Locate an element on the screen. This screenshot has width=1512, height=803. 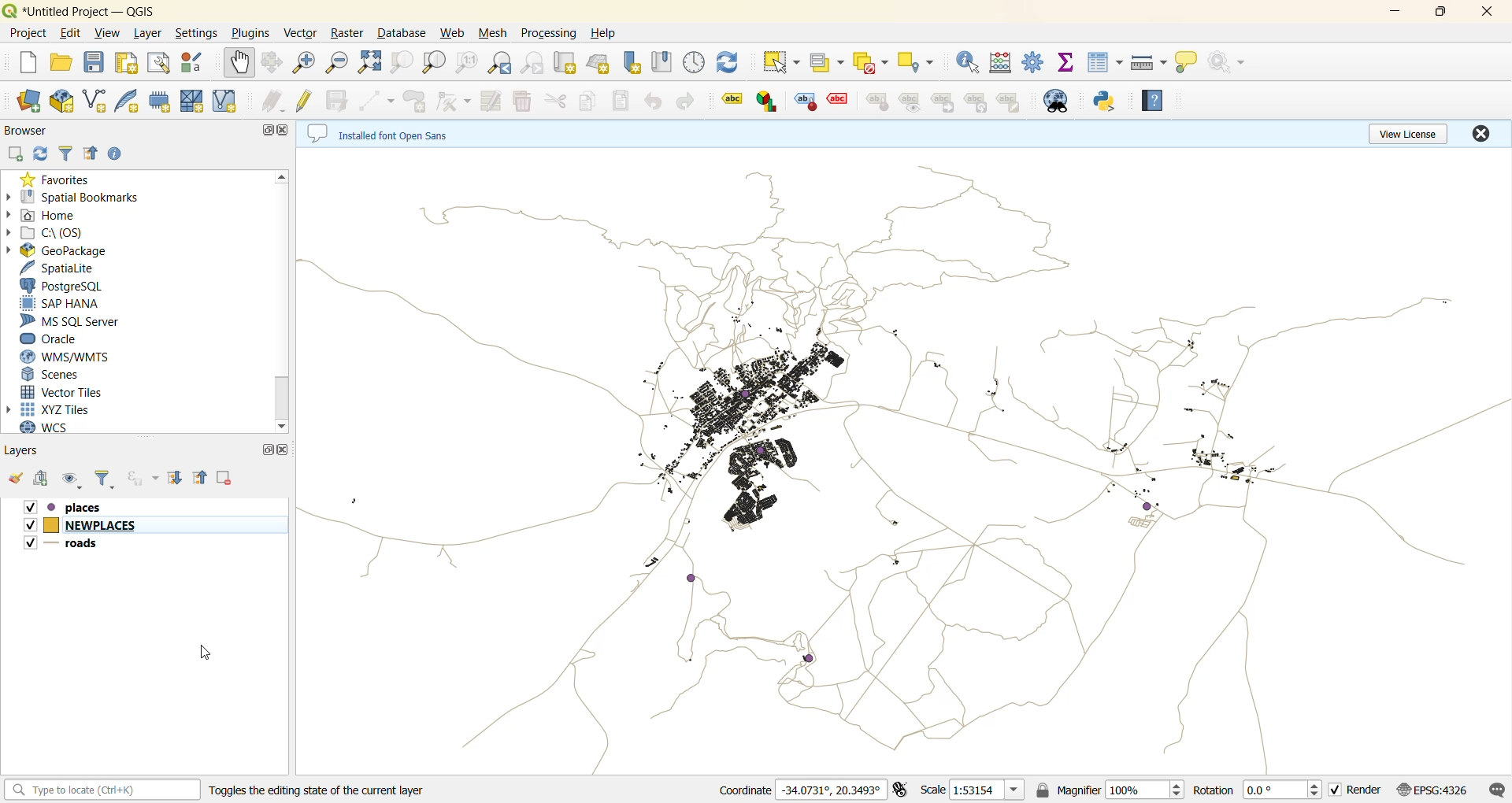
open is located at coordinates (17, 479).